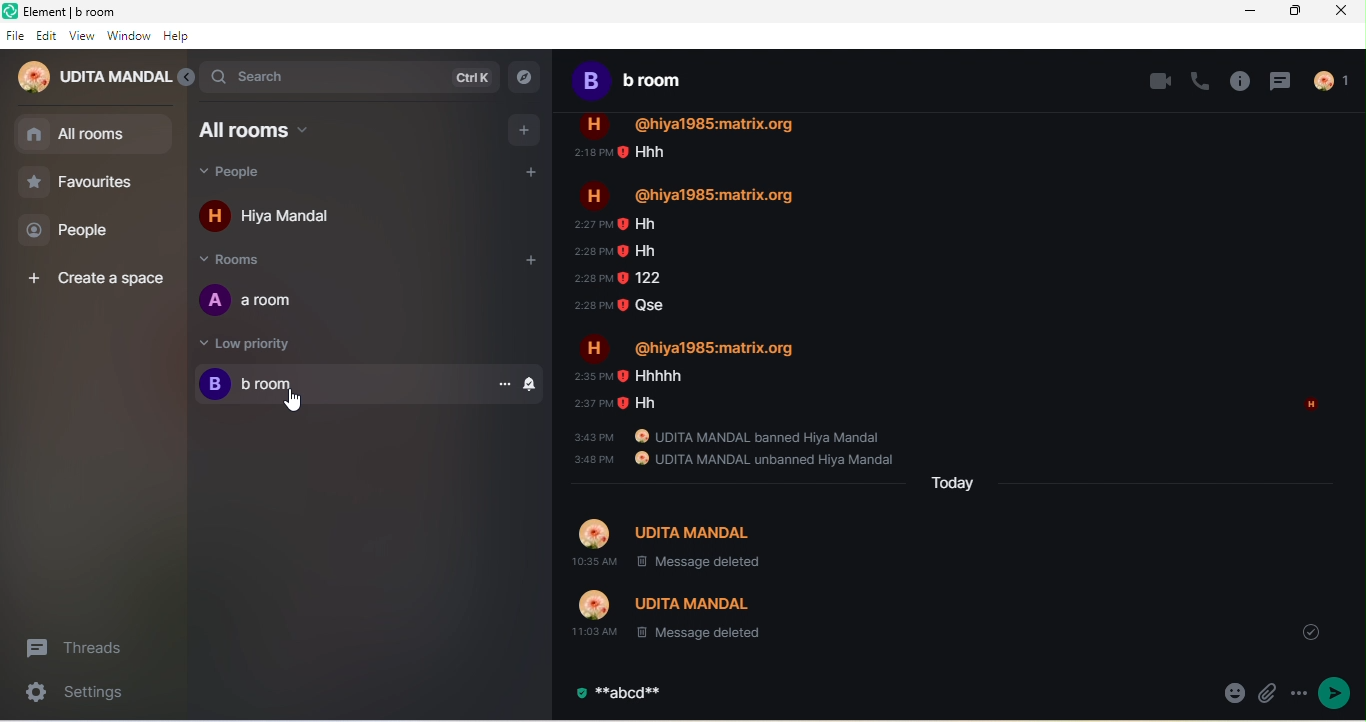  Describe the element at coordinates (530, 172) in the screenshot. I see `add people` at that location.